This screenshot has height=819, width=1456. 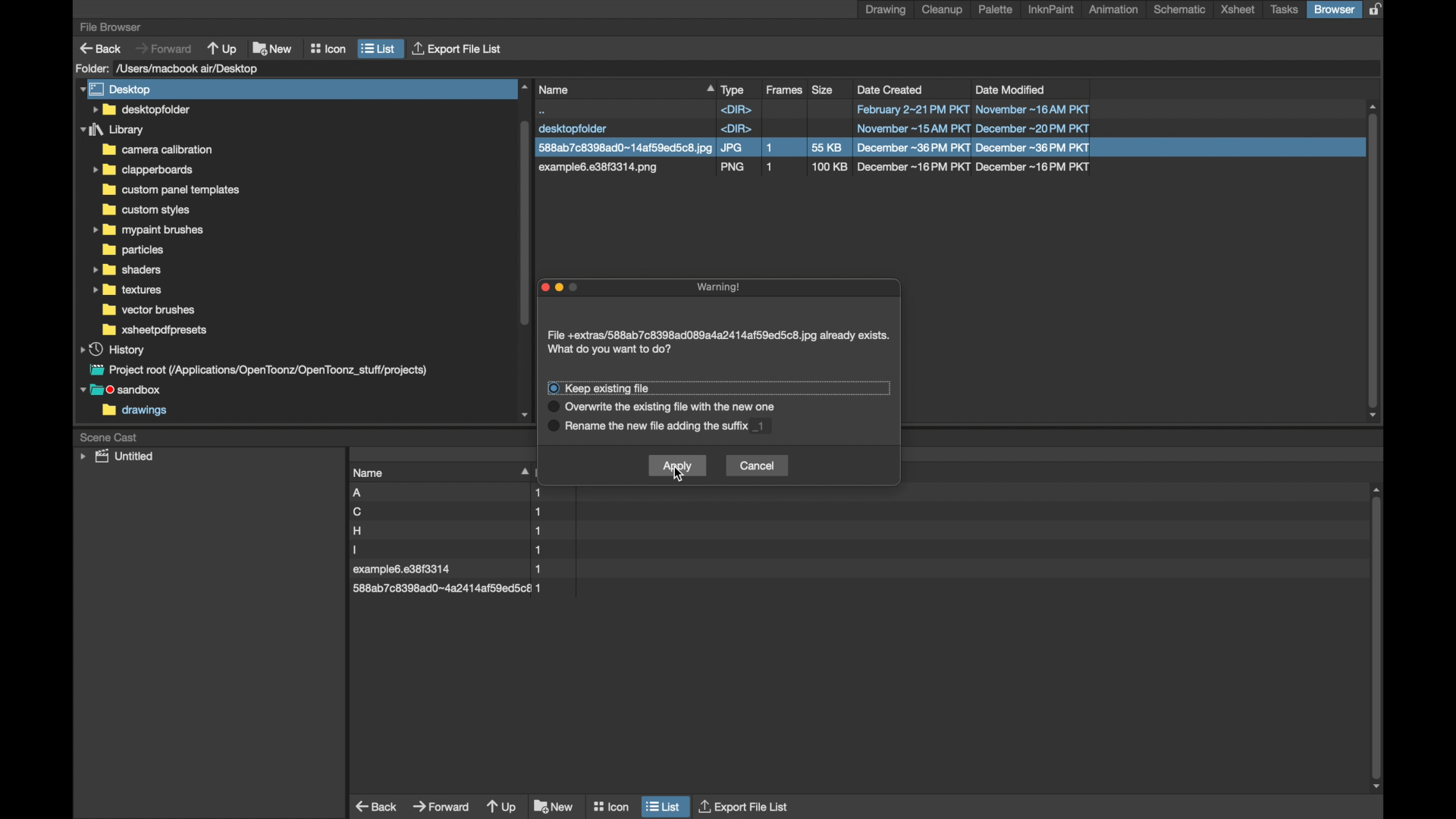 I want to click on frames, so click(x=786, y=90).